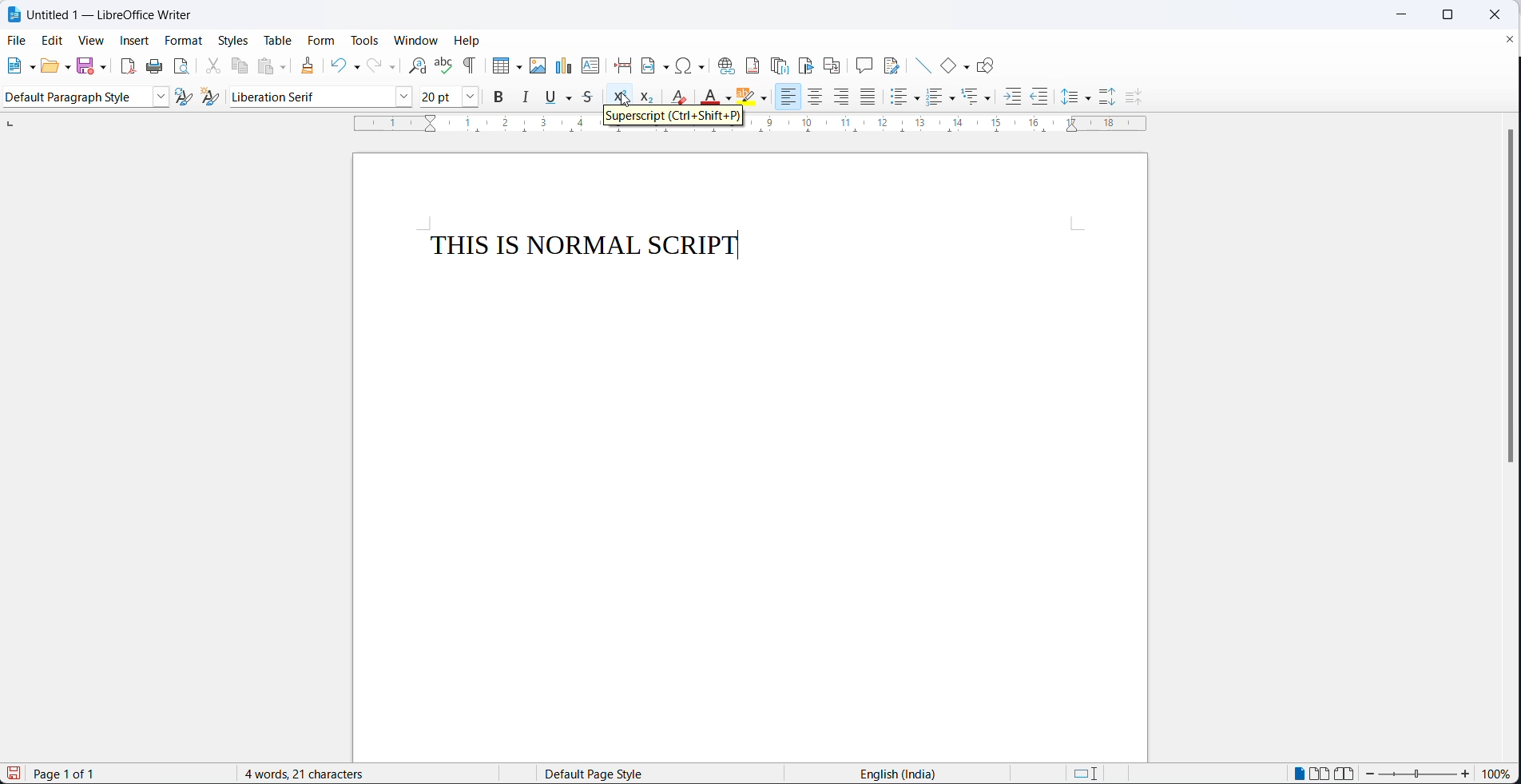 The image size is (1521, 784). I want to click on basic shapes, so click(942, 63).